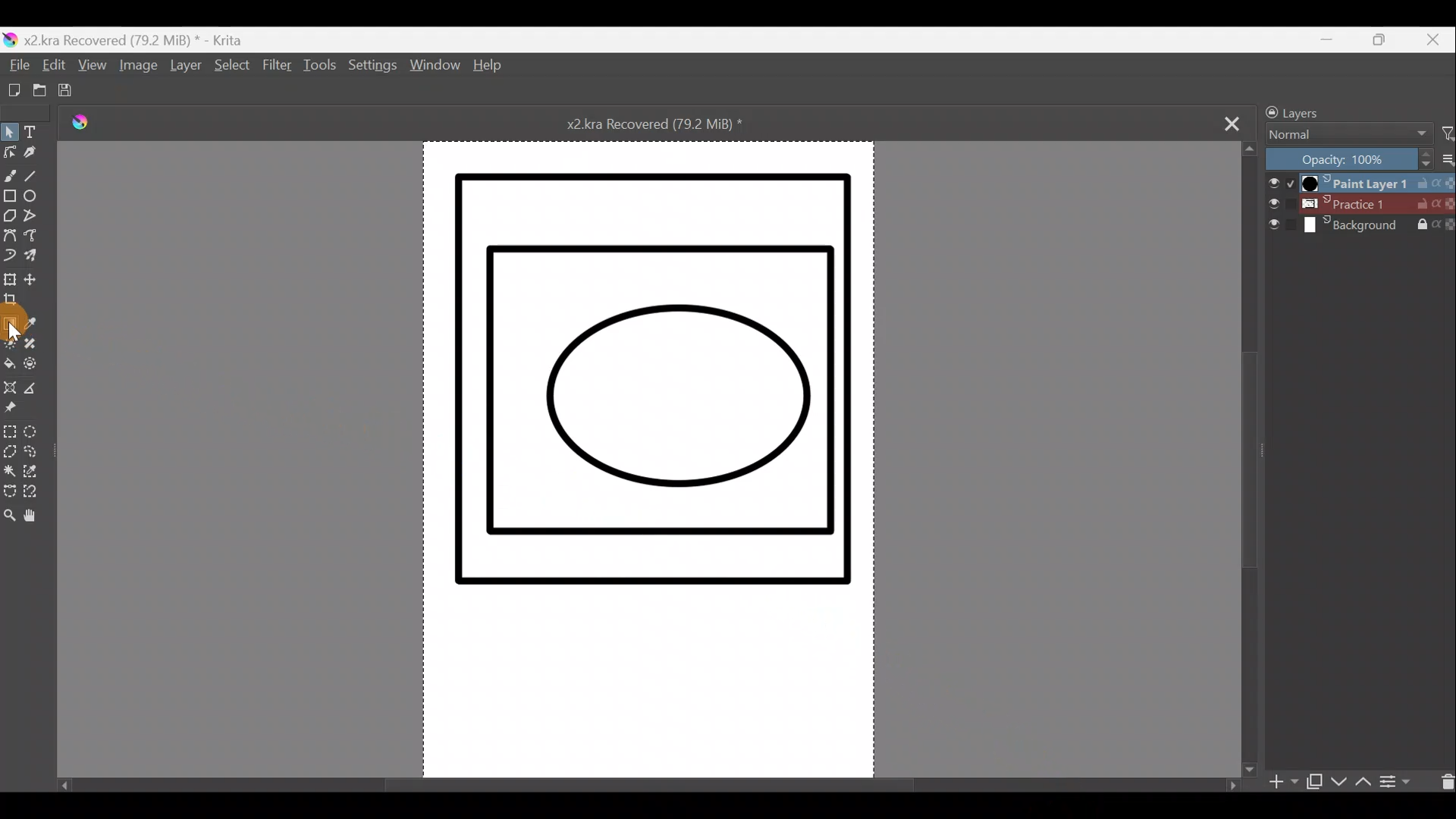 This screenshot has width=1456, height=819. What do you see at coordinates (38, 279) in the screenshot?
I see `Move a layer` at bounding box center [38, 279].